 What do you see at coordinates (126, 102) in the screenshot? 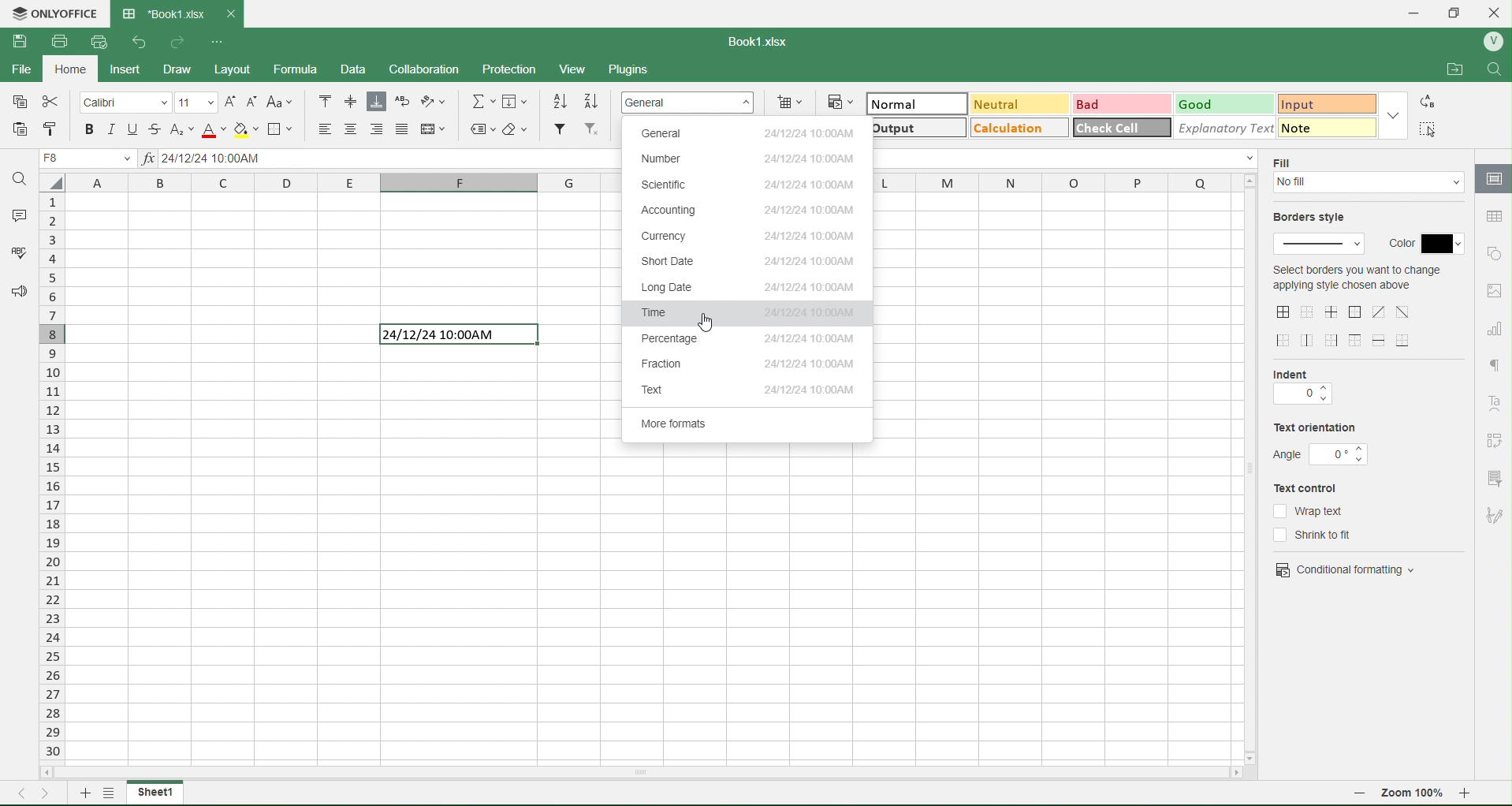
I see `Font Style` at bounding box center [126, 102].